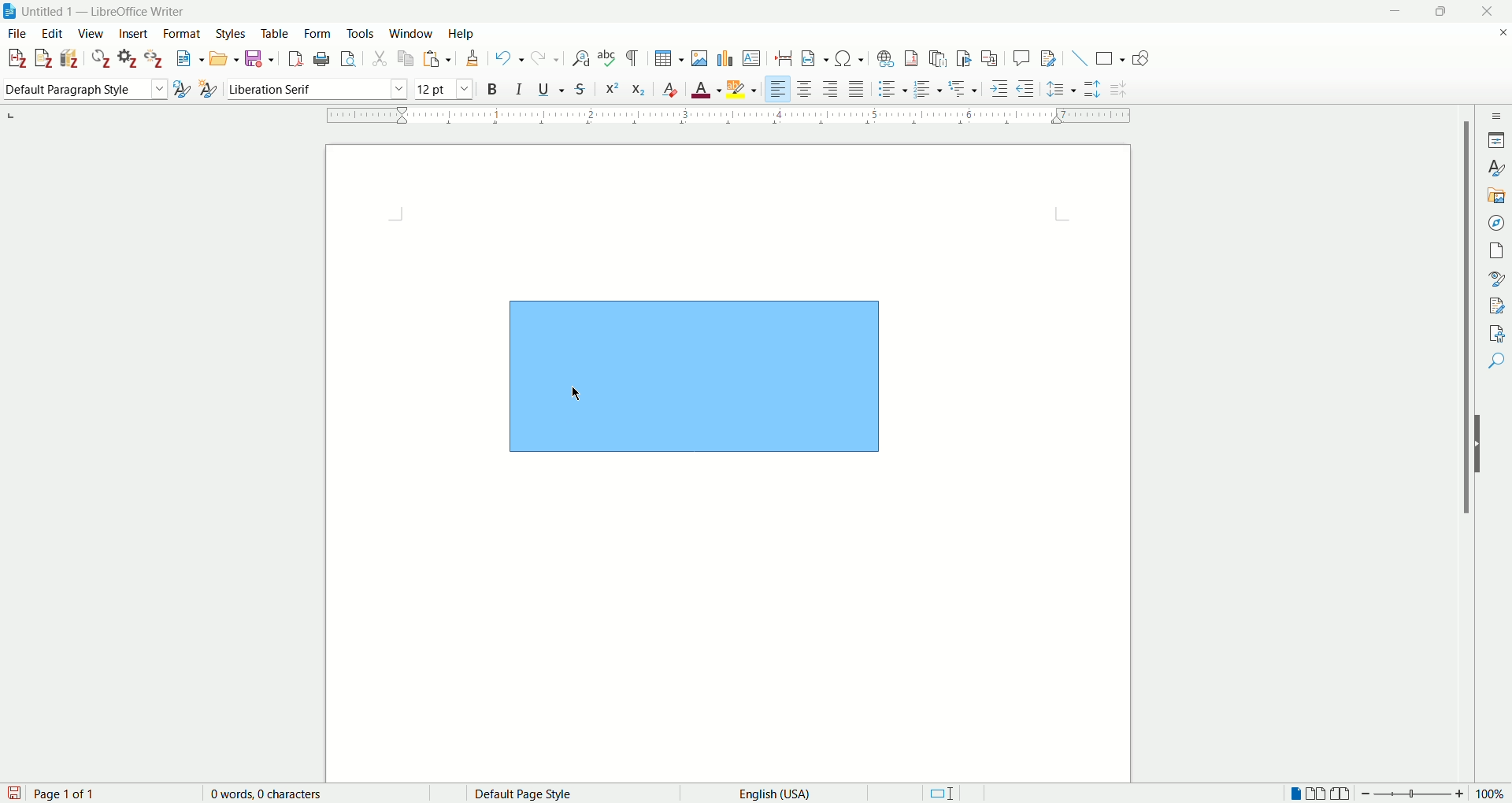 This screenshot has height=803, width=1512. I want to click on insert table, so click(671, 59).